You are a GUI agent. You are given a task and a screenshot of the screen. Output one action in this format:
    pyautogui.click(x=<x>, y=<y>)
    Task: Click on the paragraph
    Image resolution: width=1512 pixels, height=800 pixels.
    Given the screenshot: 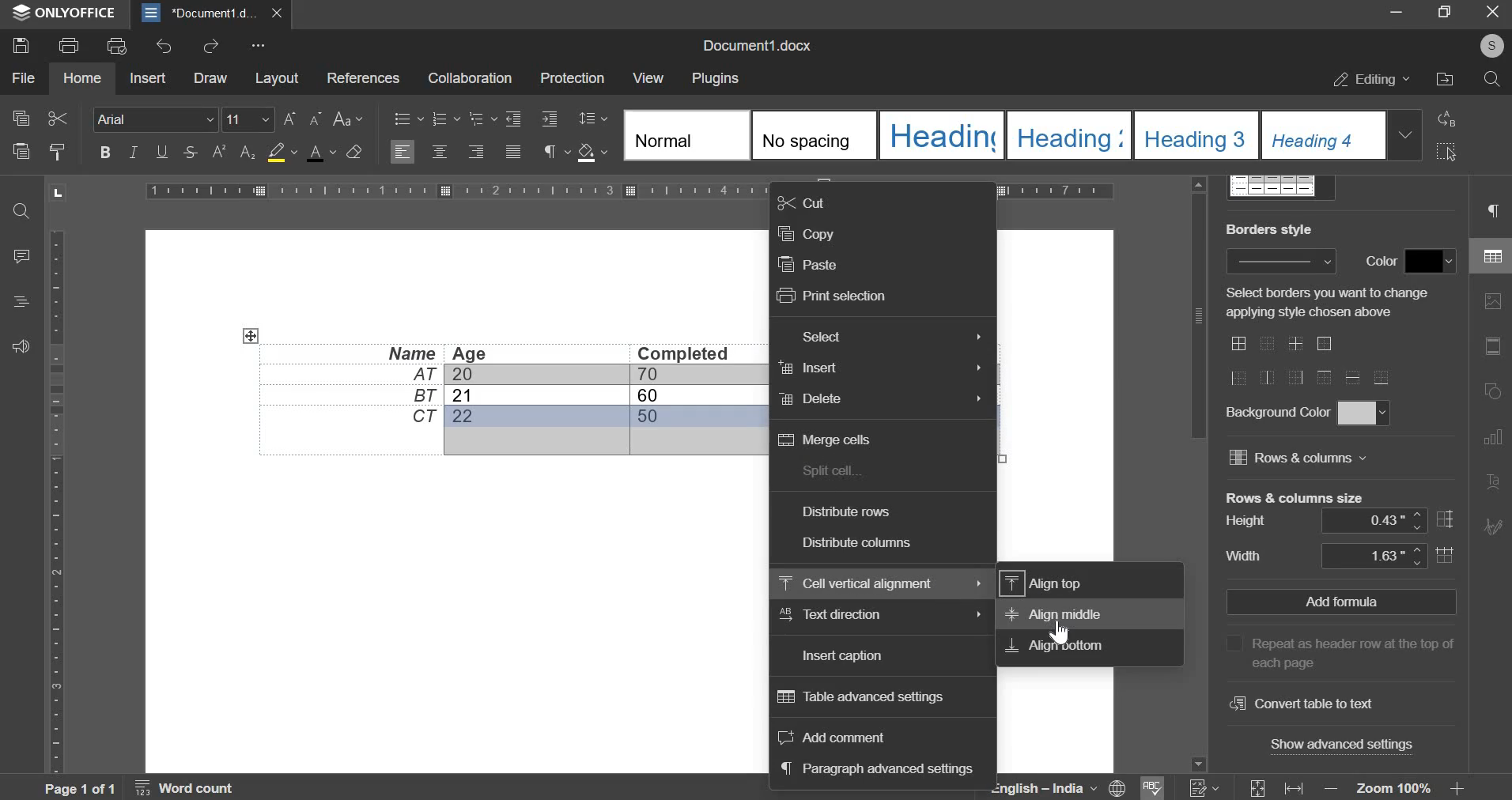 What is the action you would take?
    pyautogui.click(x=1492, y=206)
    